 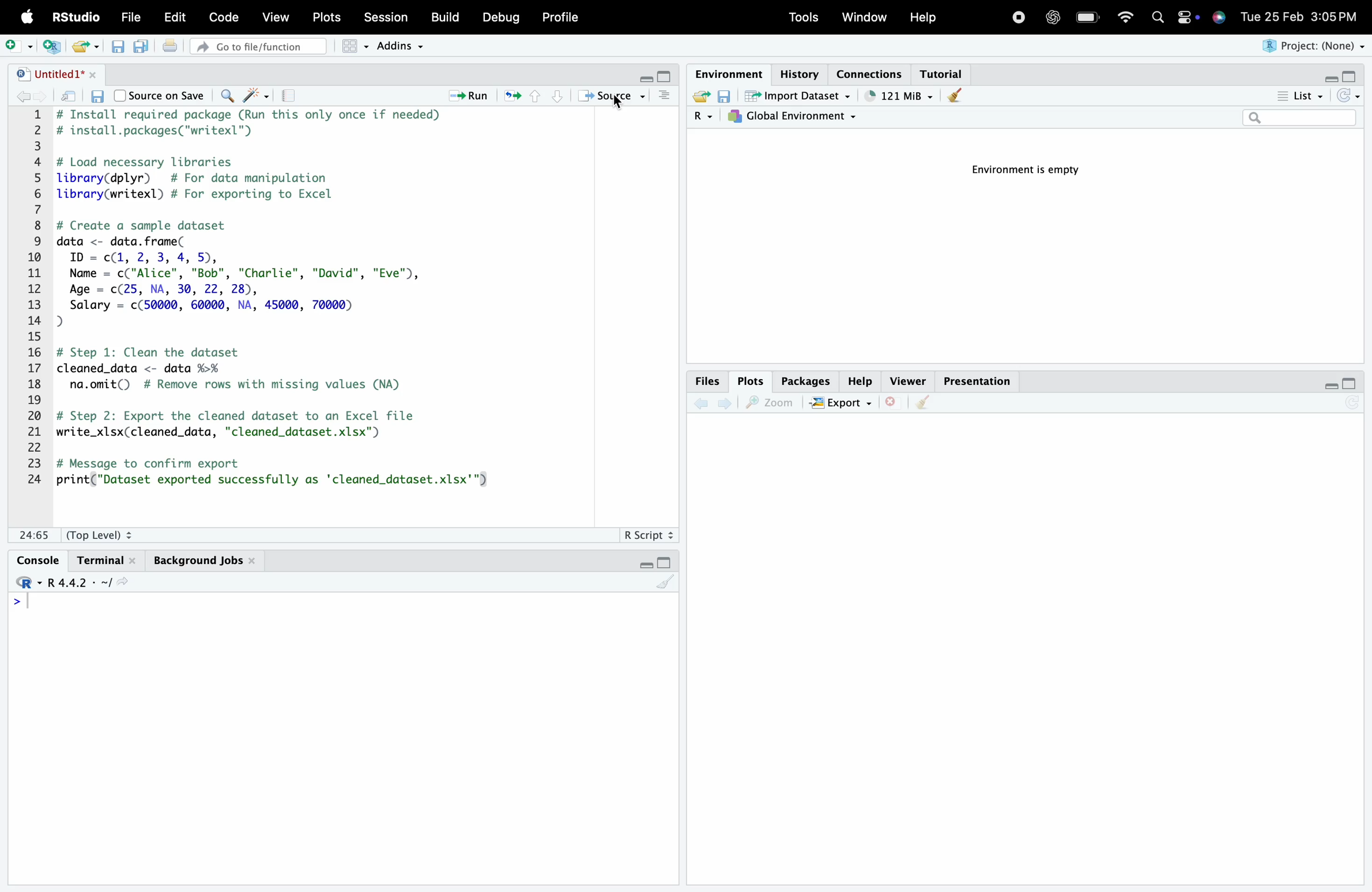 I want to click on Apple logo, so click(x=25, y=17).